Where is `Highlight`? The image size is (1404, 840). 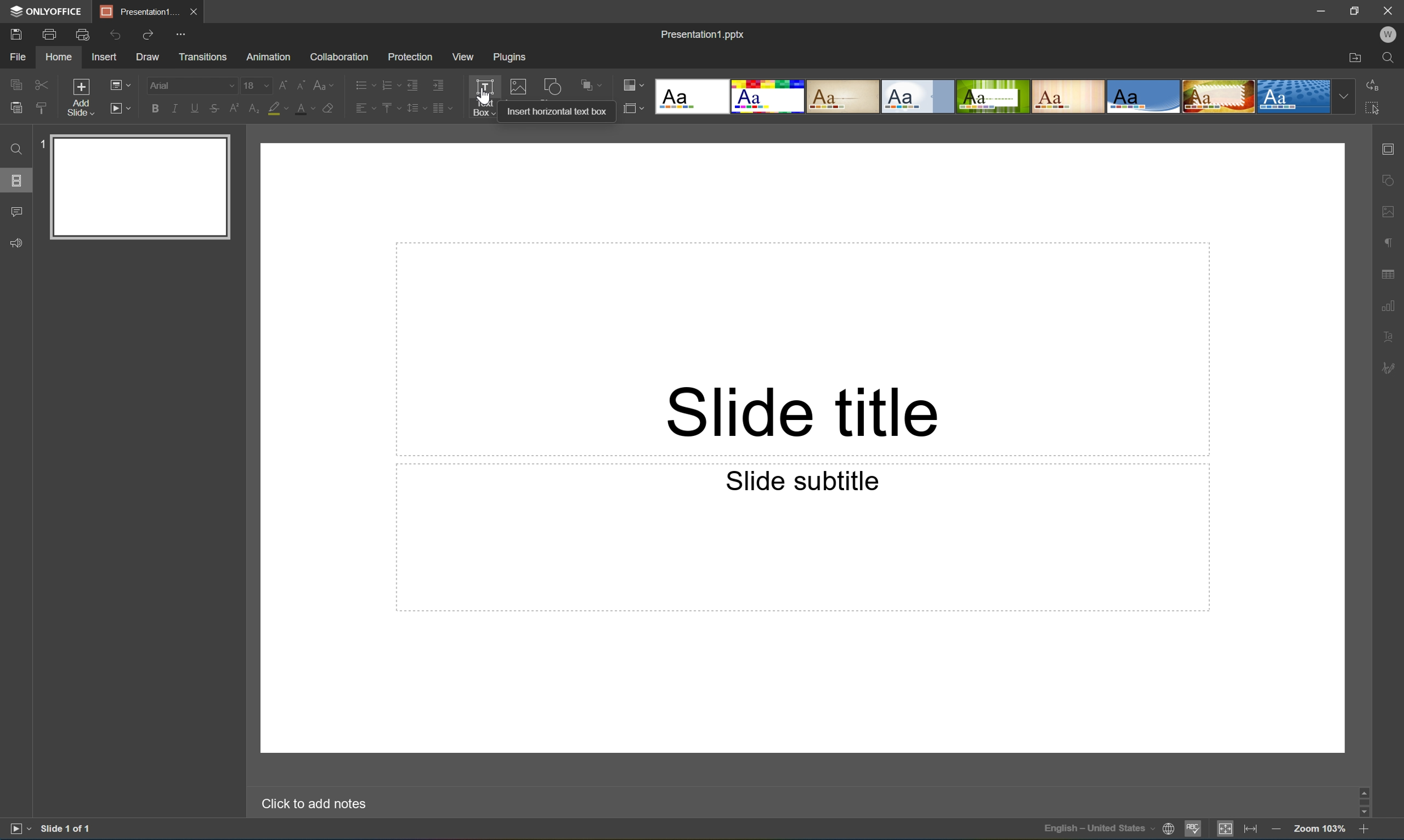
Highlight is located at coordinates (279, 109).